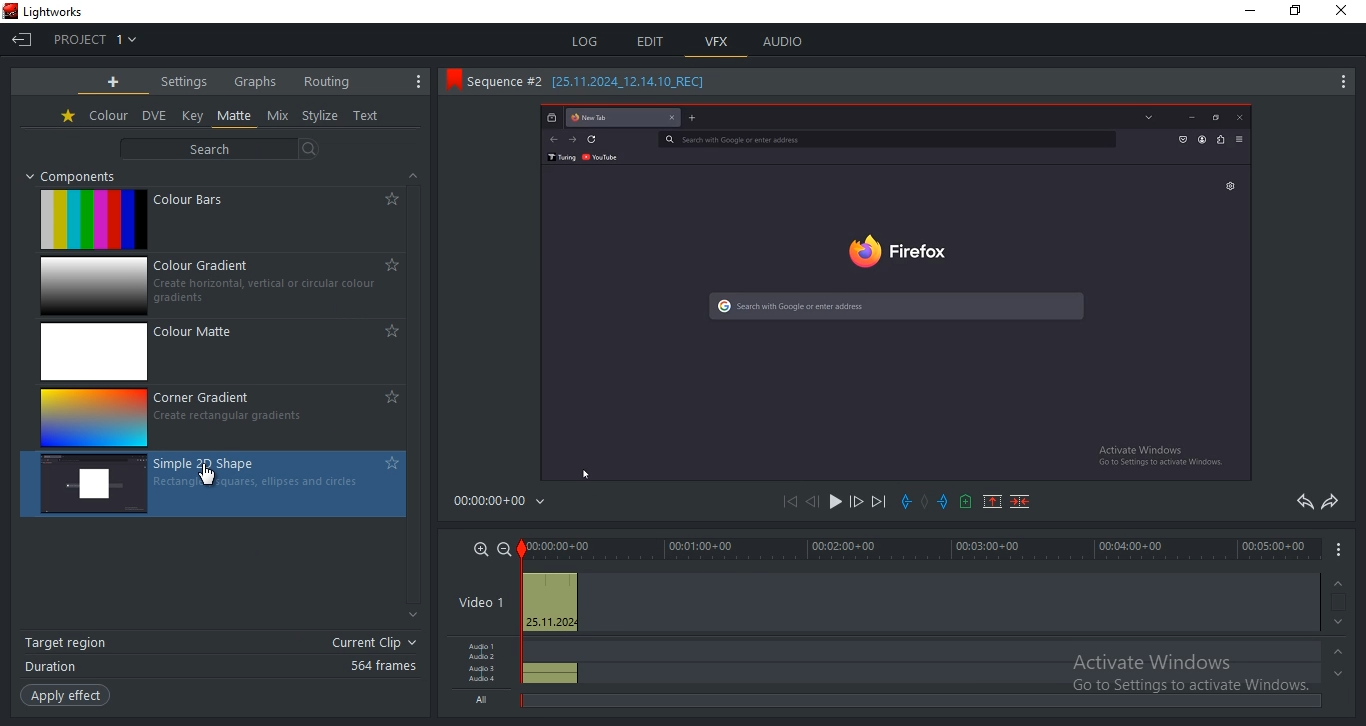 The image size is (1366, 726). Describe the element at coordinates (893, 295) in the screenshot. I see `sequence` at that location.